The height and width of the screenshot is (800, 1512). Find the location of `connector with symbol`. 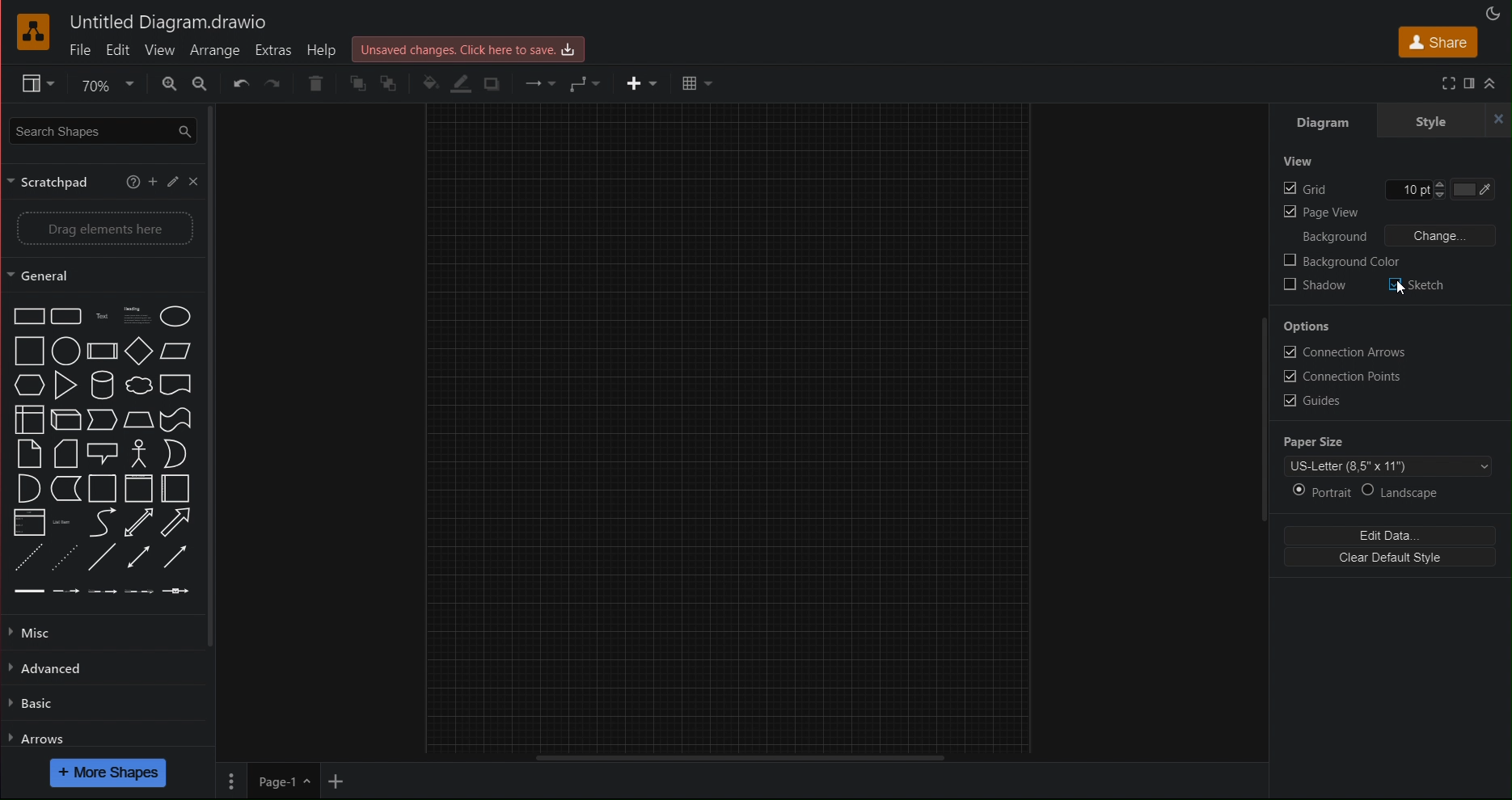

connector with symbol is located at coordinates (177, 594).